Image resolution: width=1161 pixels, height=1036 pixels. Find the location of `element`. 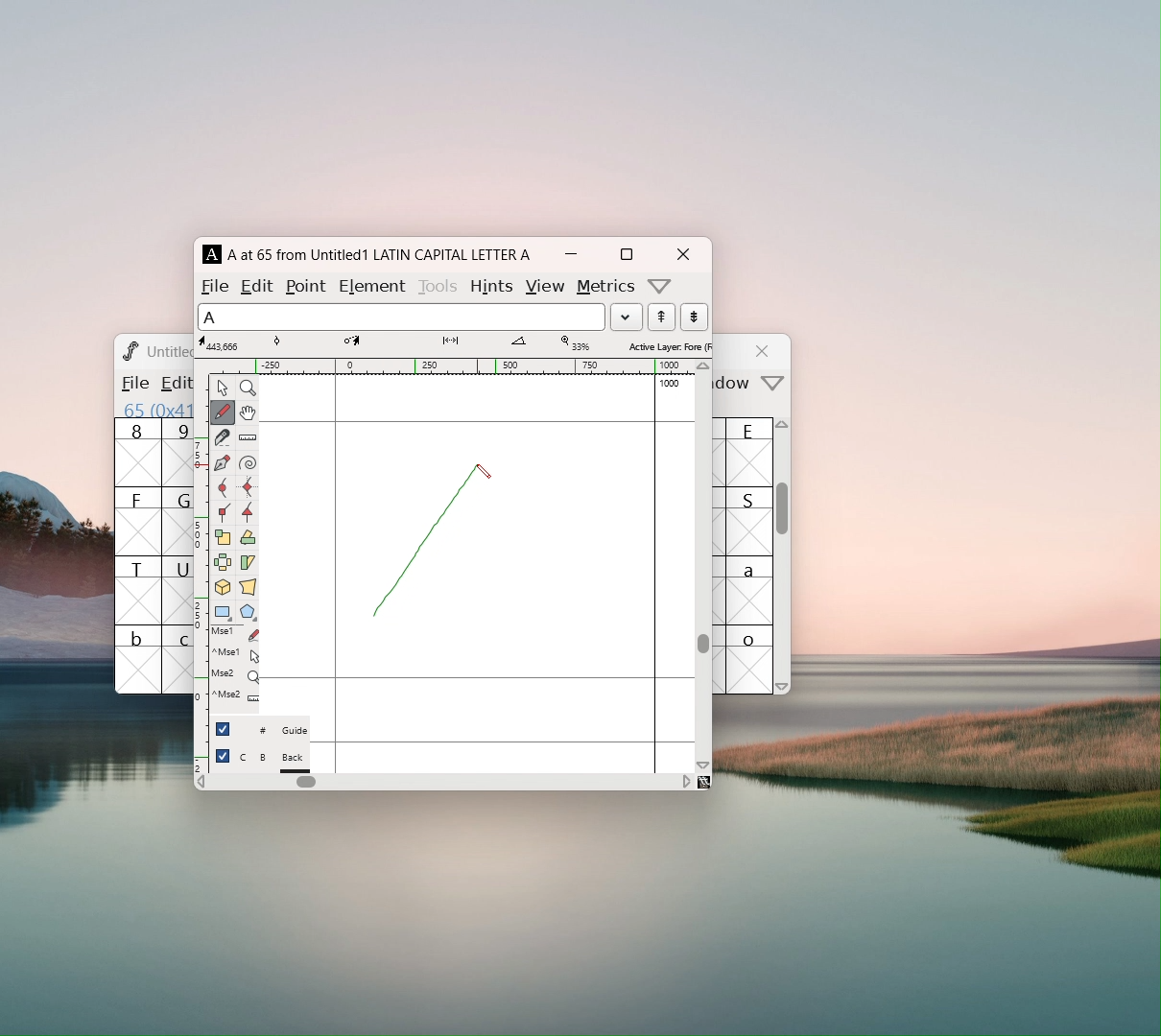

element is located at coordinates (371, 284).